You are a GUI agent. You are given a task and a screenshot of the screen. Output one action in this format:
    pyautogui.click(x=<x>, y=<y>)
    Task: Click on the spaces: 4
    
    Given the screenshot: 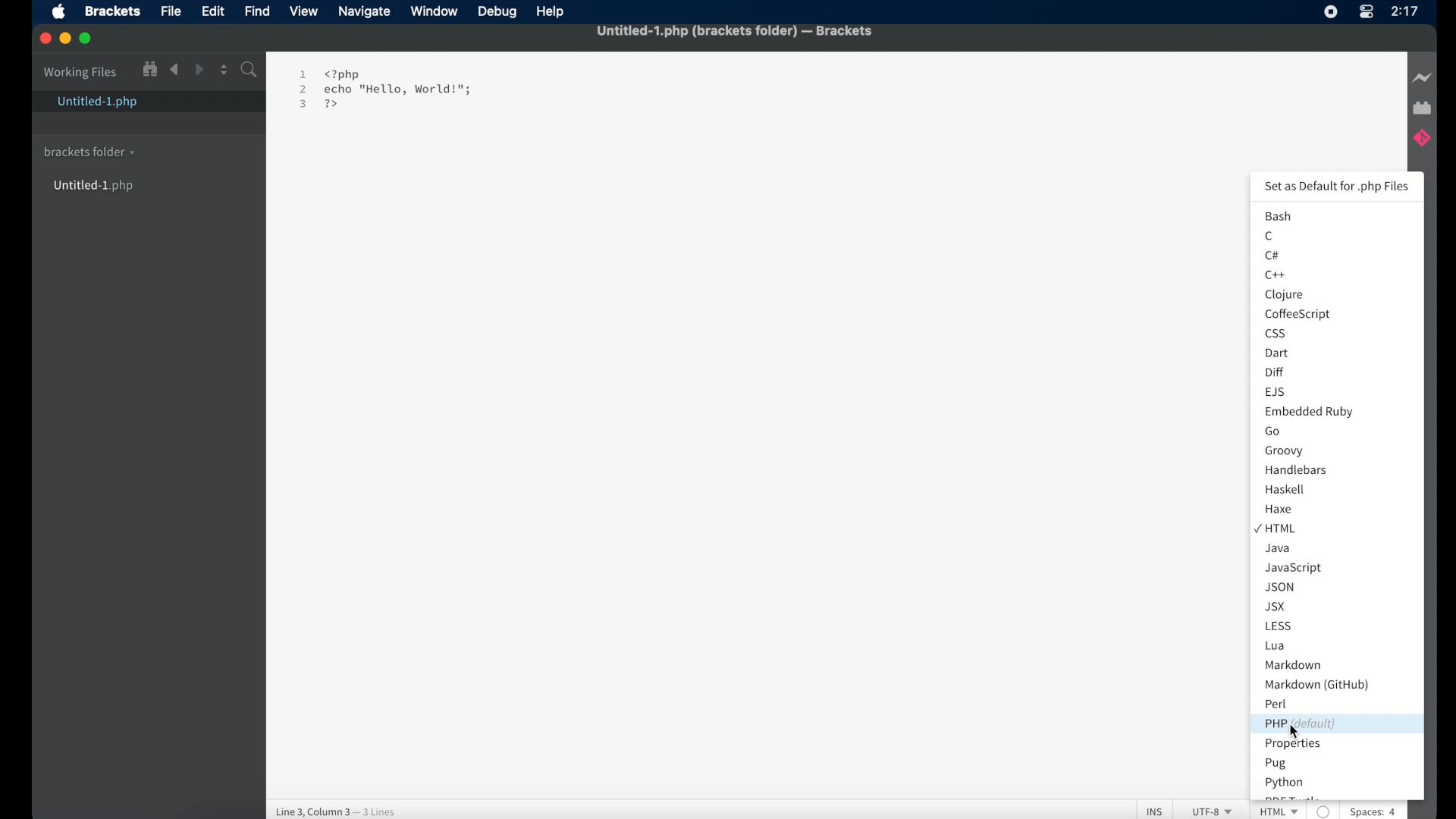 What is the action you would take?
    pyautogui.click(x=1380, y=811)
    